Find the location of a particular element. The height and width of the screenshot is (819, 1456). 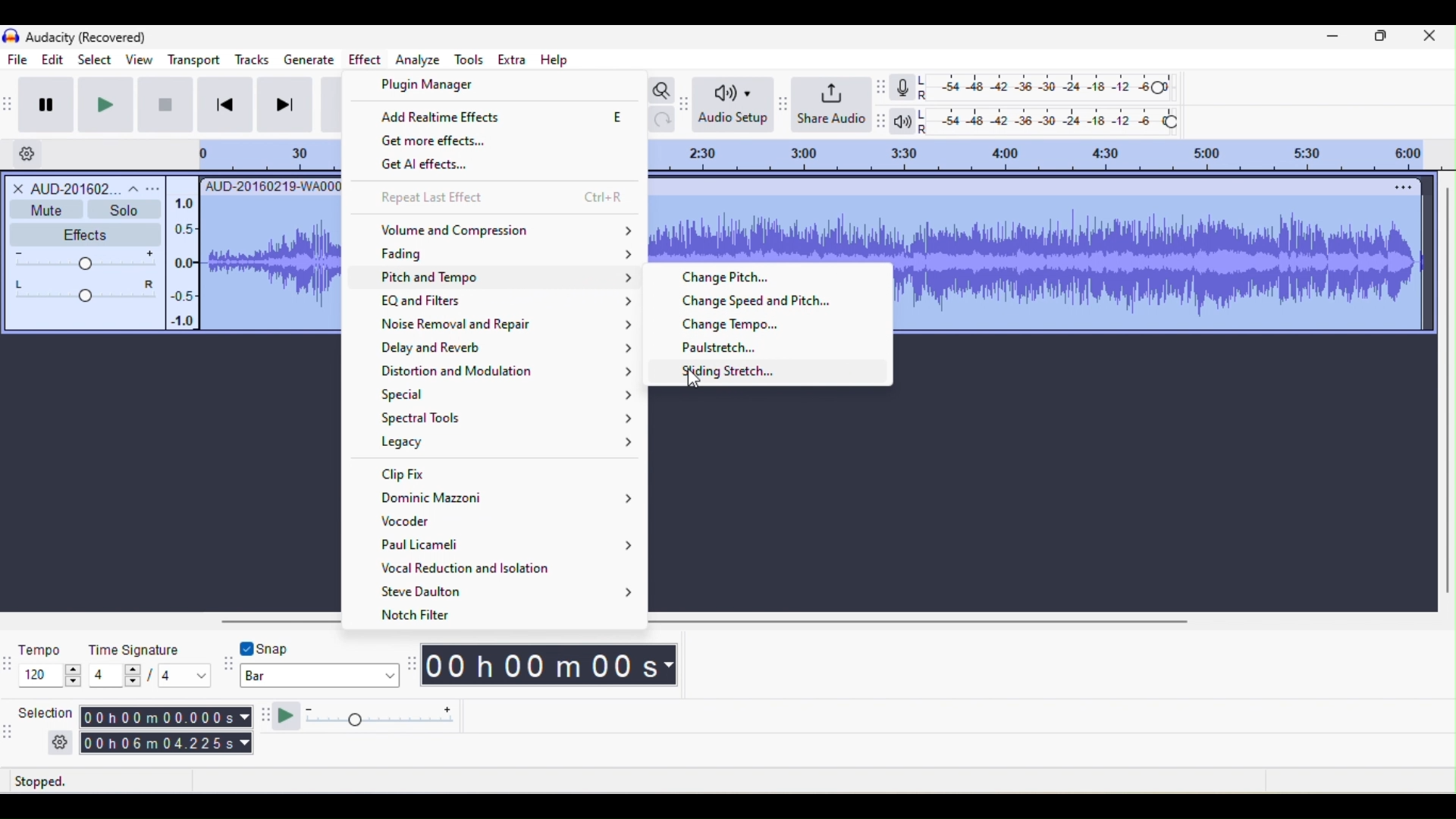

icon is located at coordinates (10, 37).